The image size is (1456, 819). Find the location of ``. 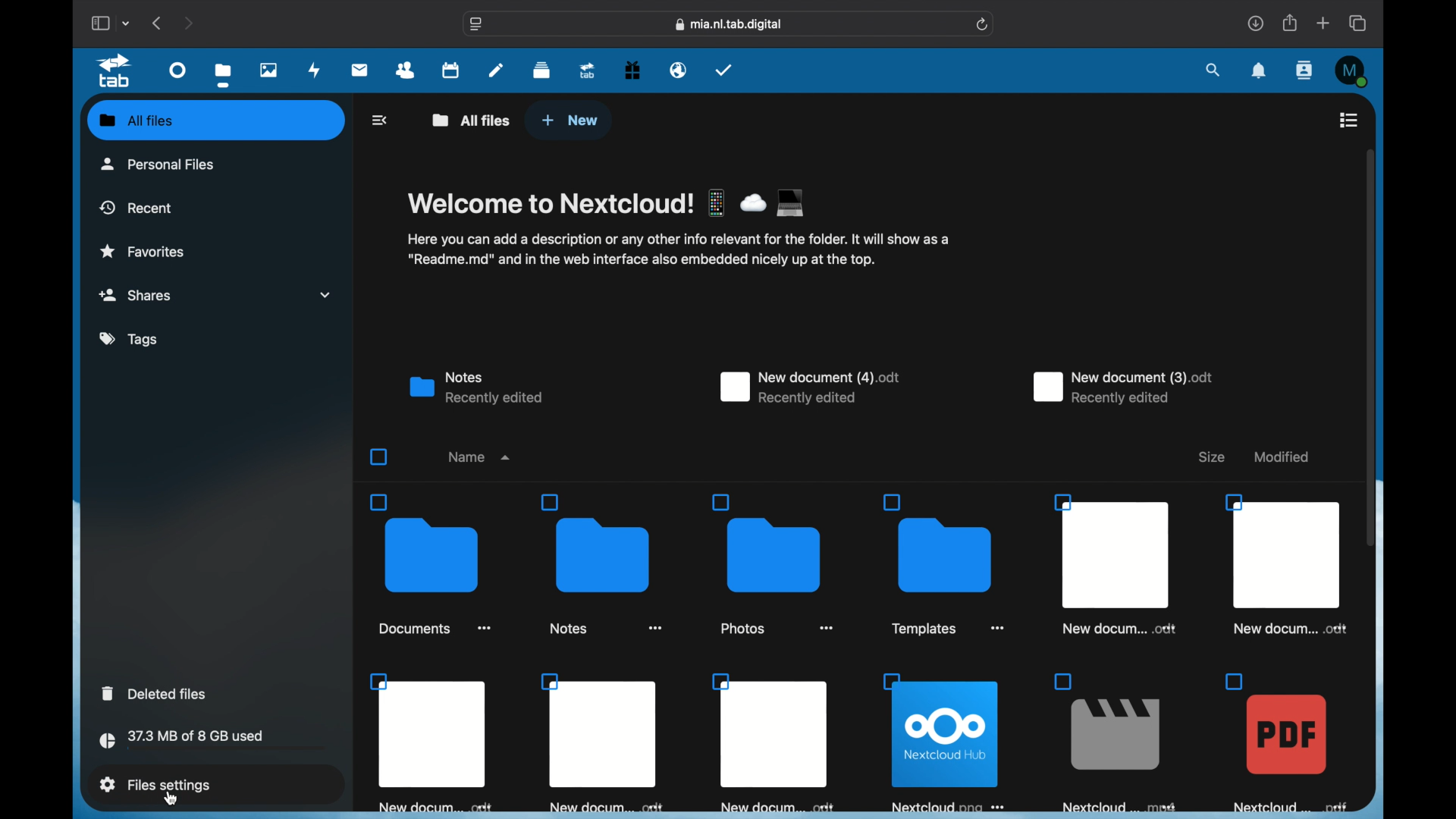

 is located at coordinates (607, 203).